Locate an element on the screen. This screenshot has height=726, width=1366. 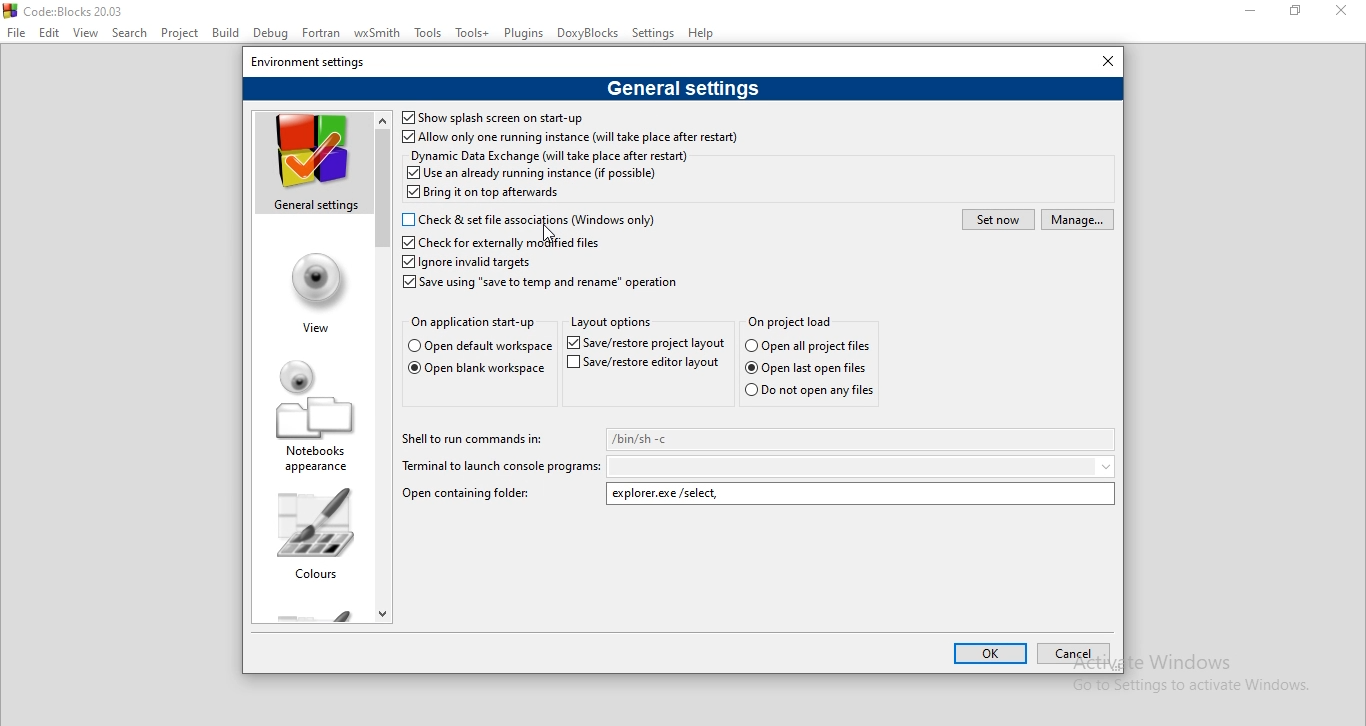
View is located at coordinates (87, 34).